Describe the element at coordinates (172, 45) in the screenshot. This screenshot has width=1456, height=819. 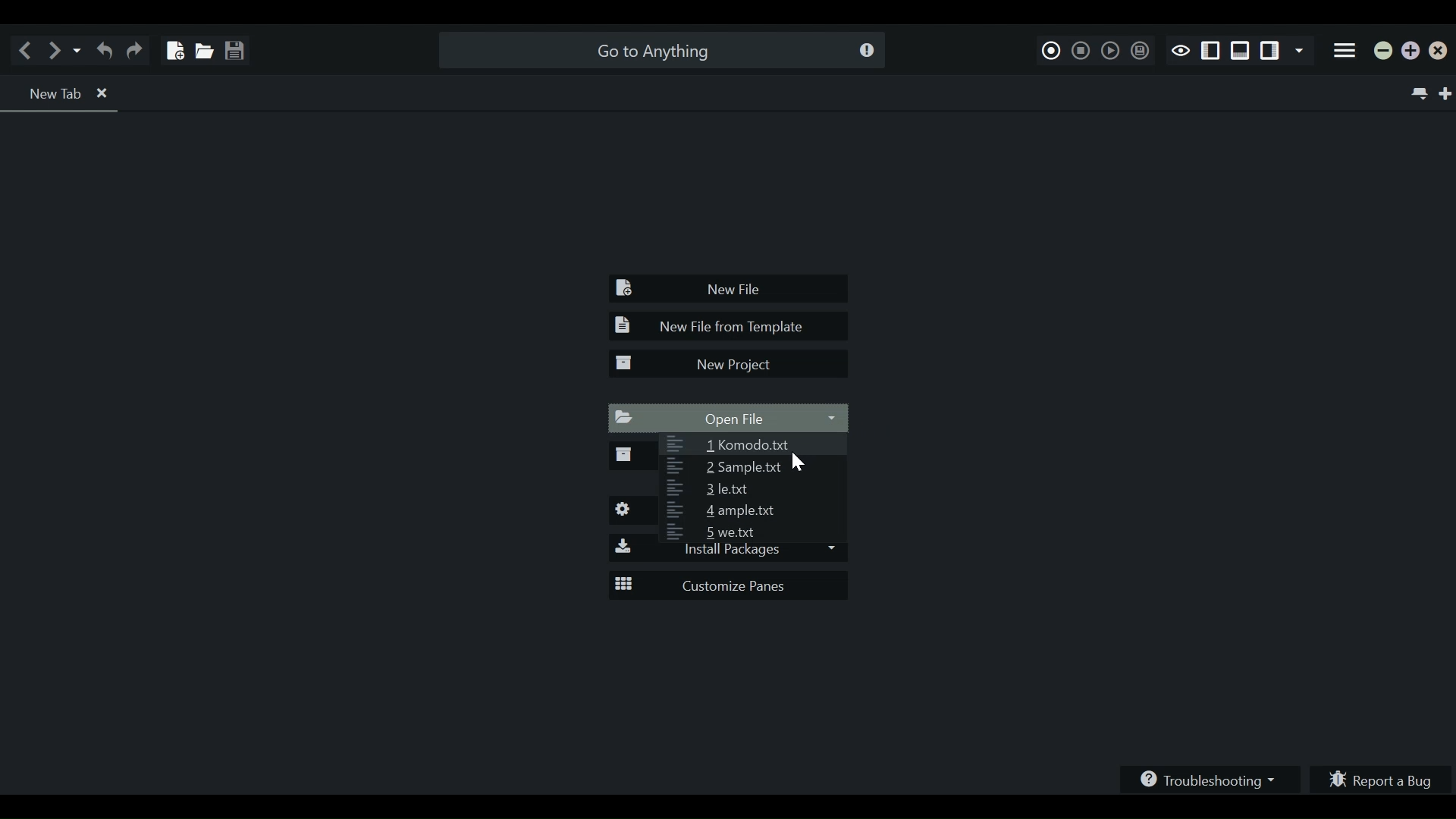
I see `New File` at that location.